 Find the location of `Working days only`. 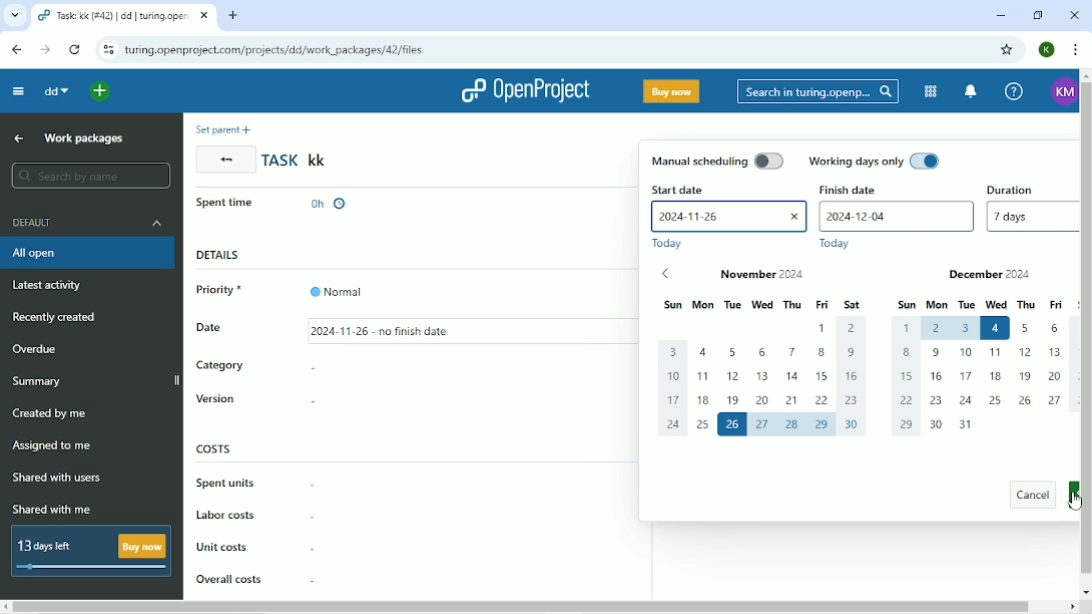

Working days only is located at coordinates (872, 162).